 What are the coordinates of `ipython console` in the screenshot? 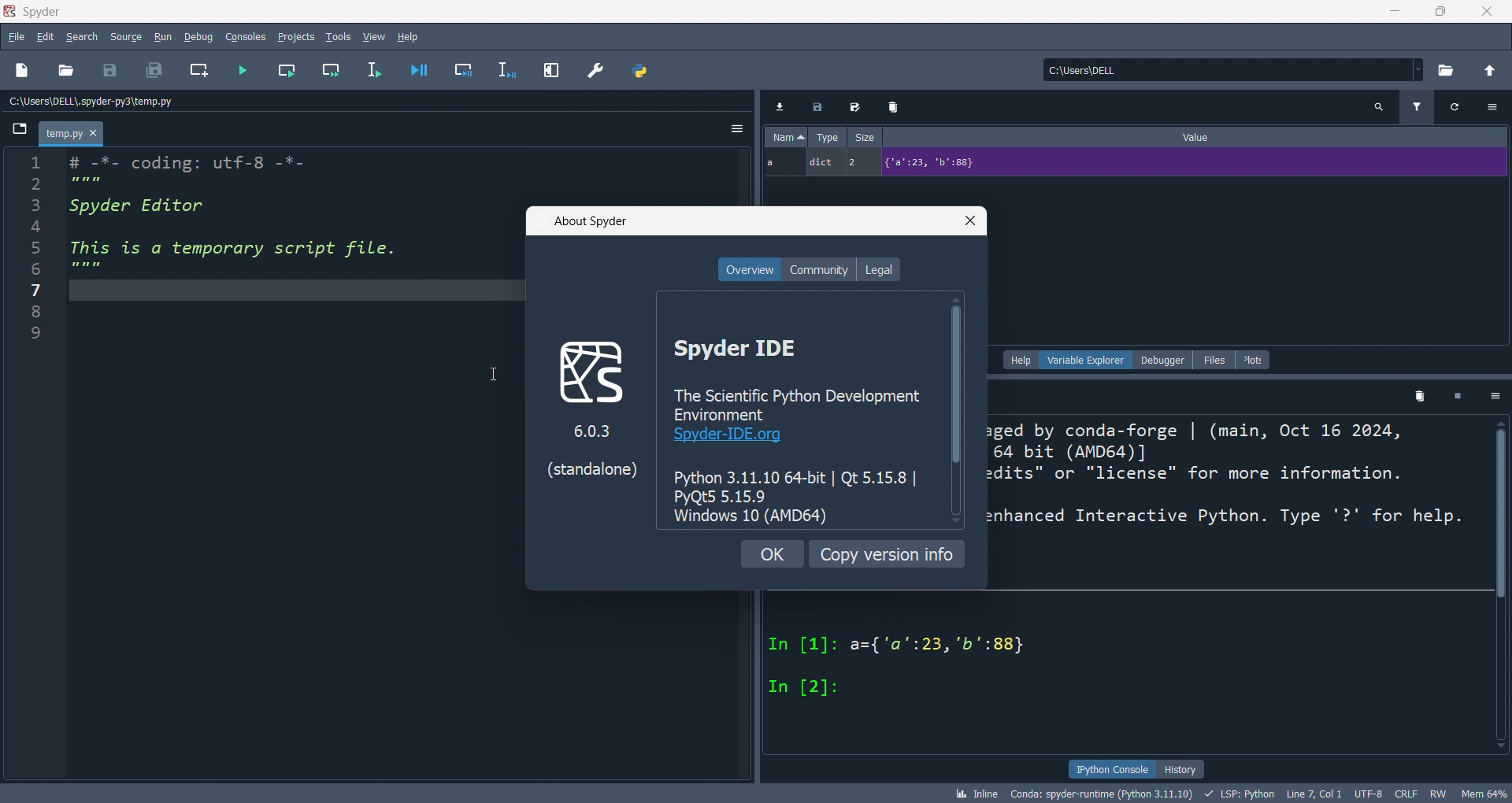 It's located at (1110, 768).